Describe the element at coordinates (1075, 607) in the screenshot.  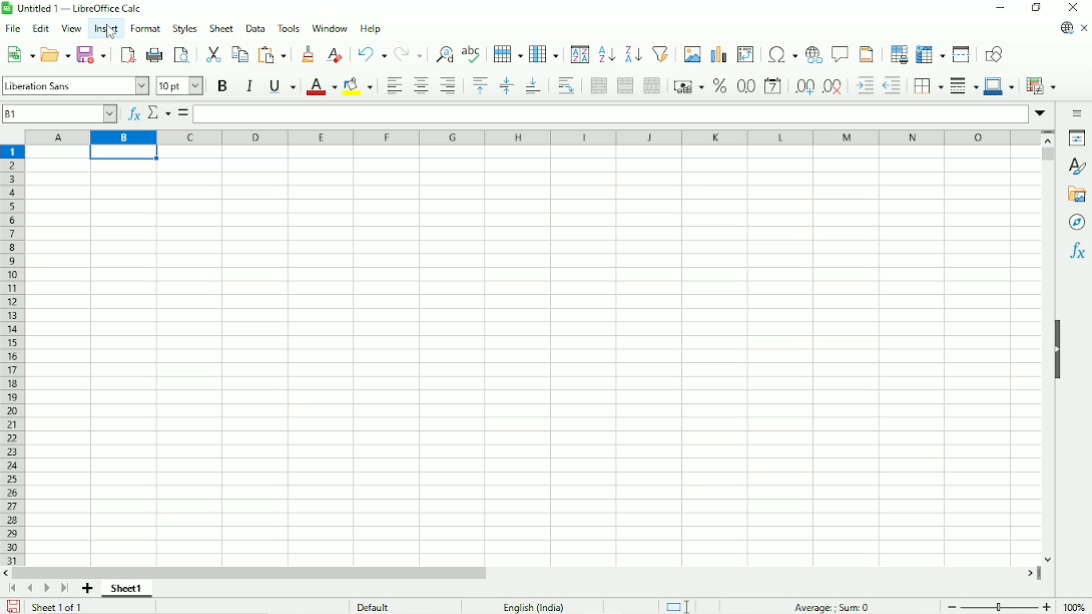
I see `Zoom factor` at that location.